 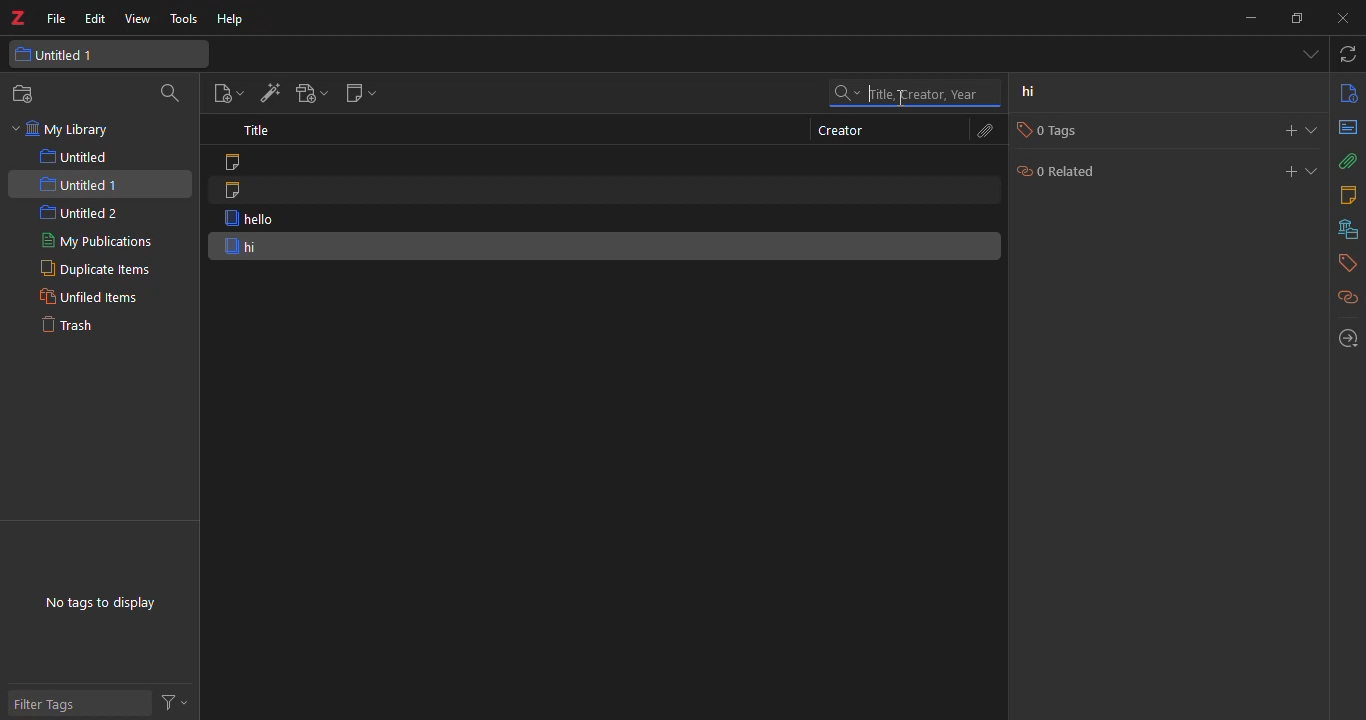 I want to click on item, so click(x=242, y=246).